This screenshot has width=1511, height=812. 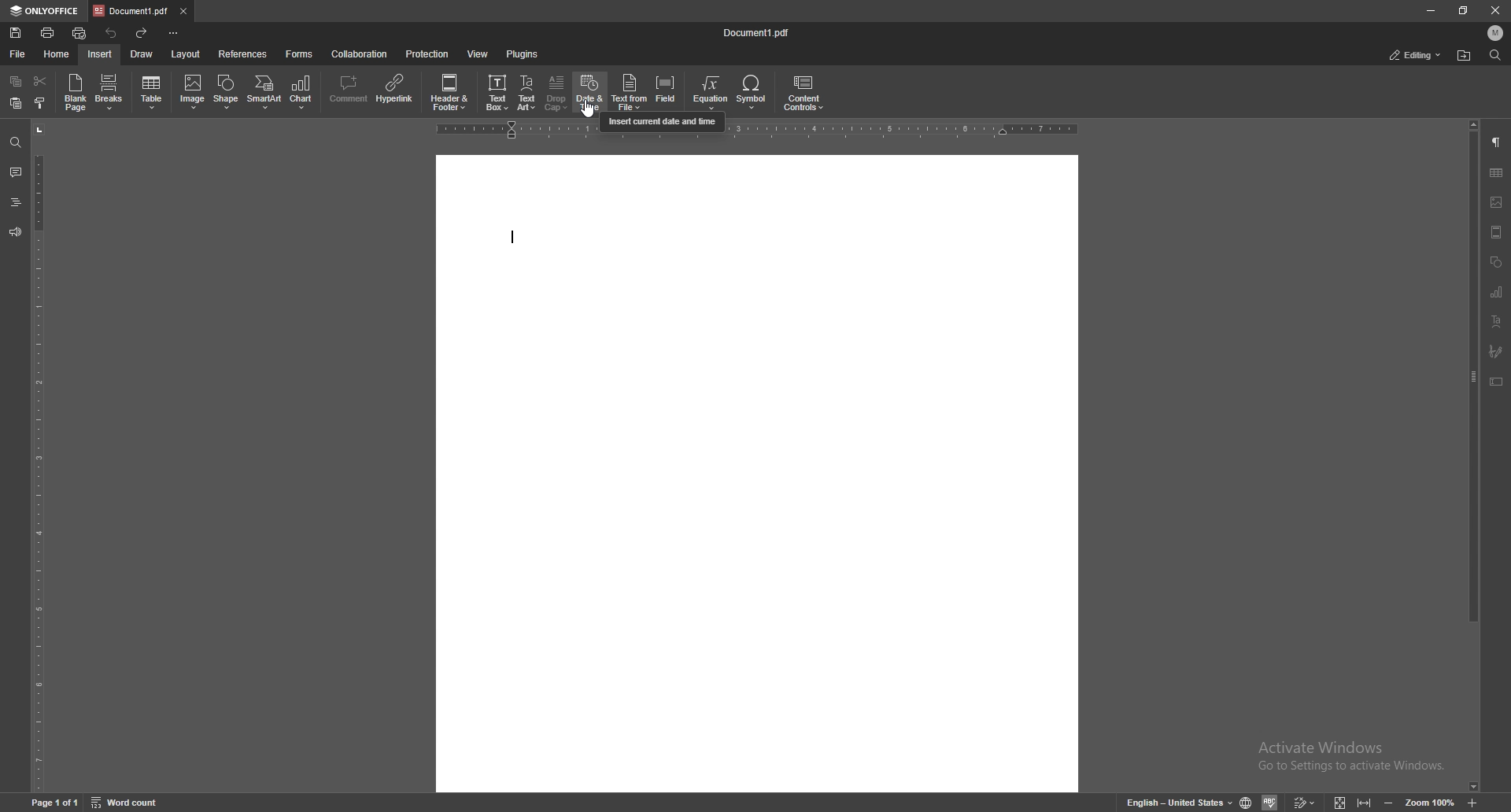 What do you see at coordinates (16, 101) in the screenshot?
I see `paste` at bounding box center [16, 101].